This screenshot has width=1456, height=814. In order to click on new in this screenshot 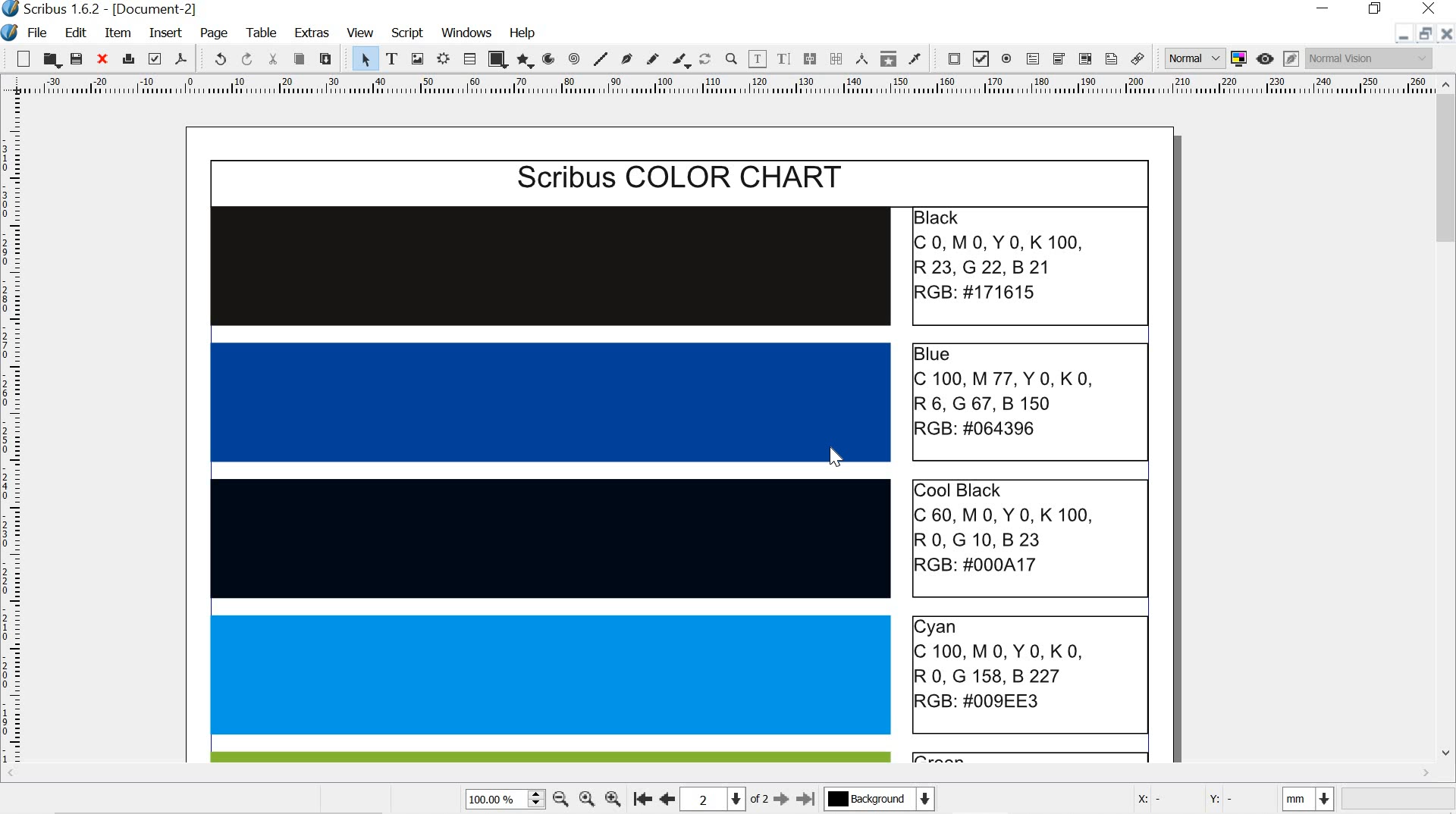, I will do `click(18, 58)`.